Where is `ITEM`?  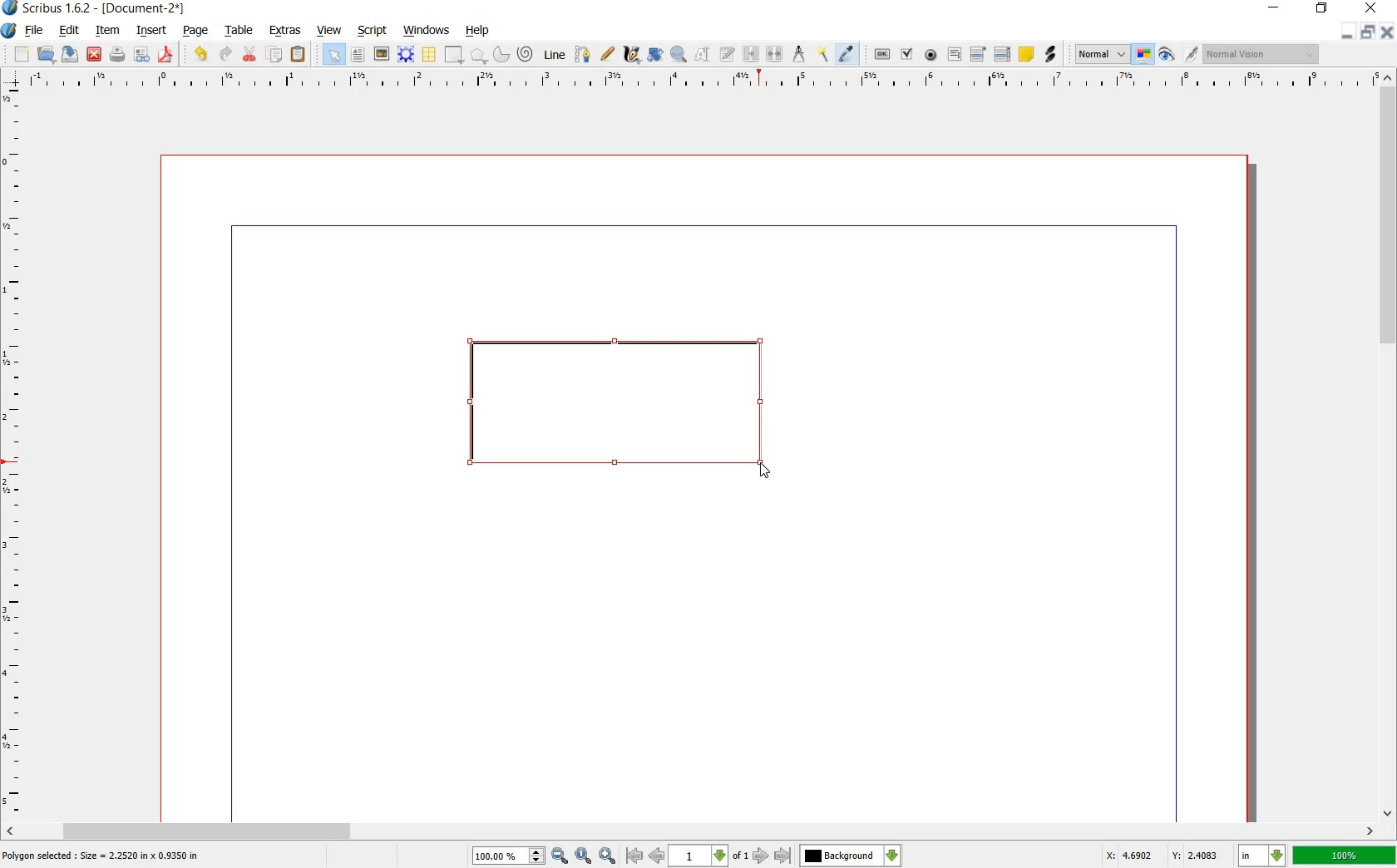
ITEM is located at coordinates (106, 31).